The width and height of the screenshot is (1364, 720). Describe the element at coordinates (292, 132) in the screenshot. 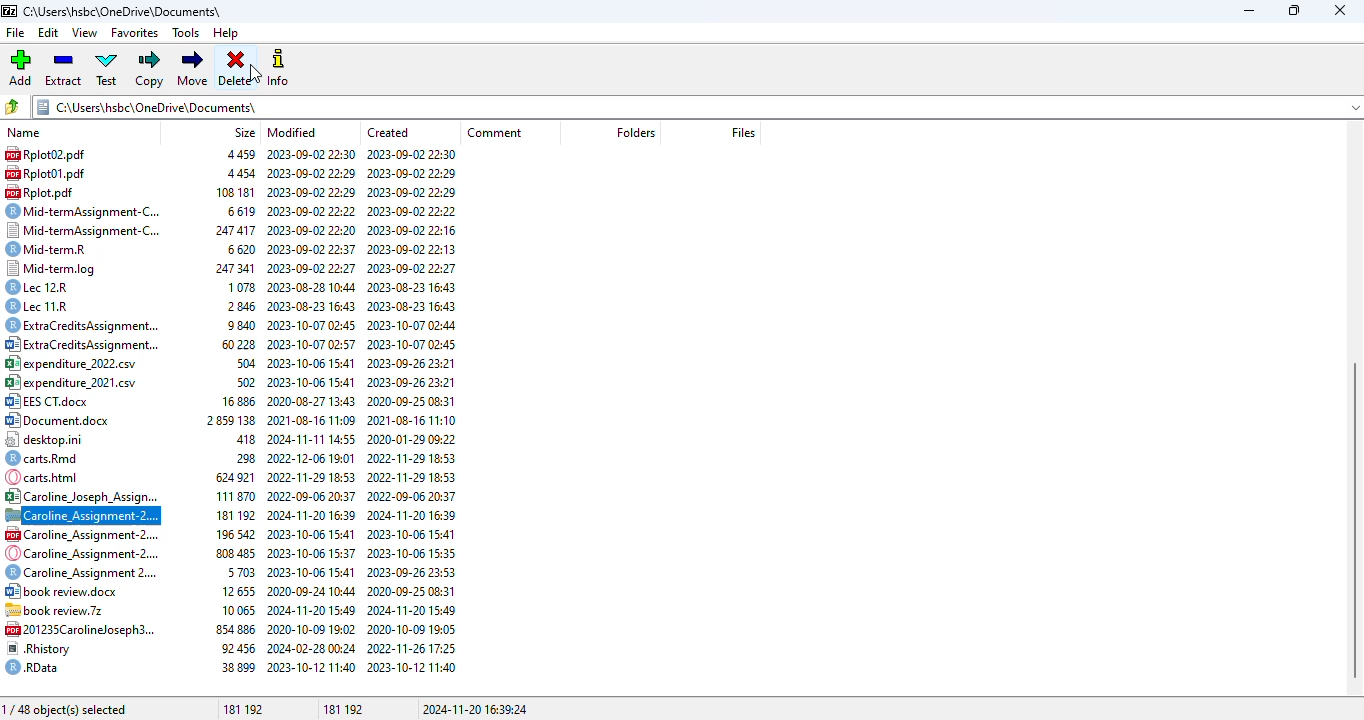

I see `modified` at that location.